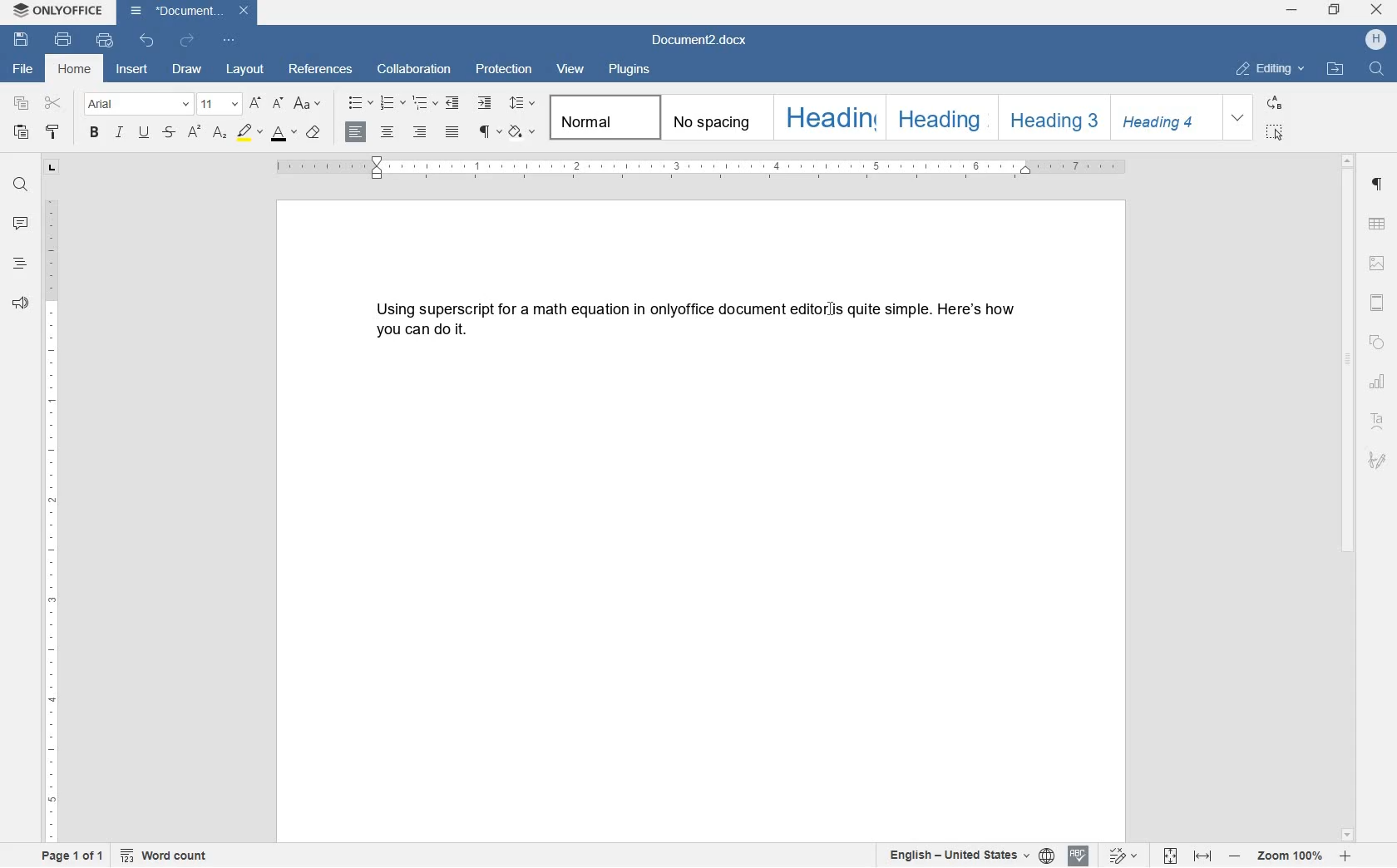  What do you see at coordinates (506, 71) in the screenshot?
I see `protection` at bounding box center [506, 71].